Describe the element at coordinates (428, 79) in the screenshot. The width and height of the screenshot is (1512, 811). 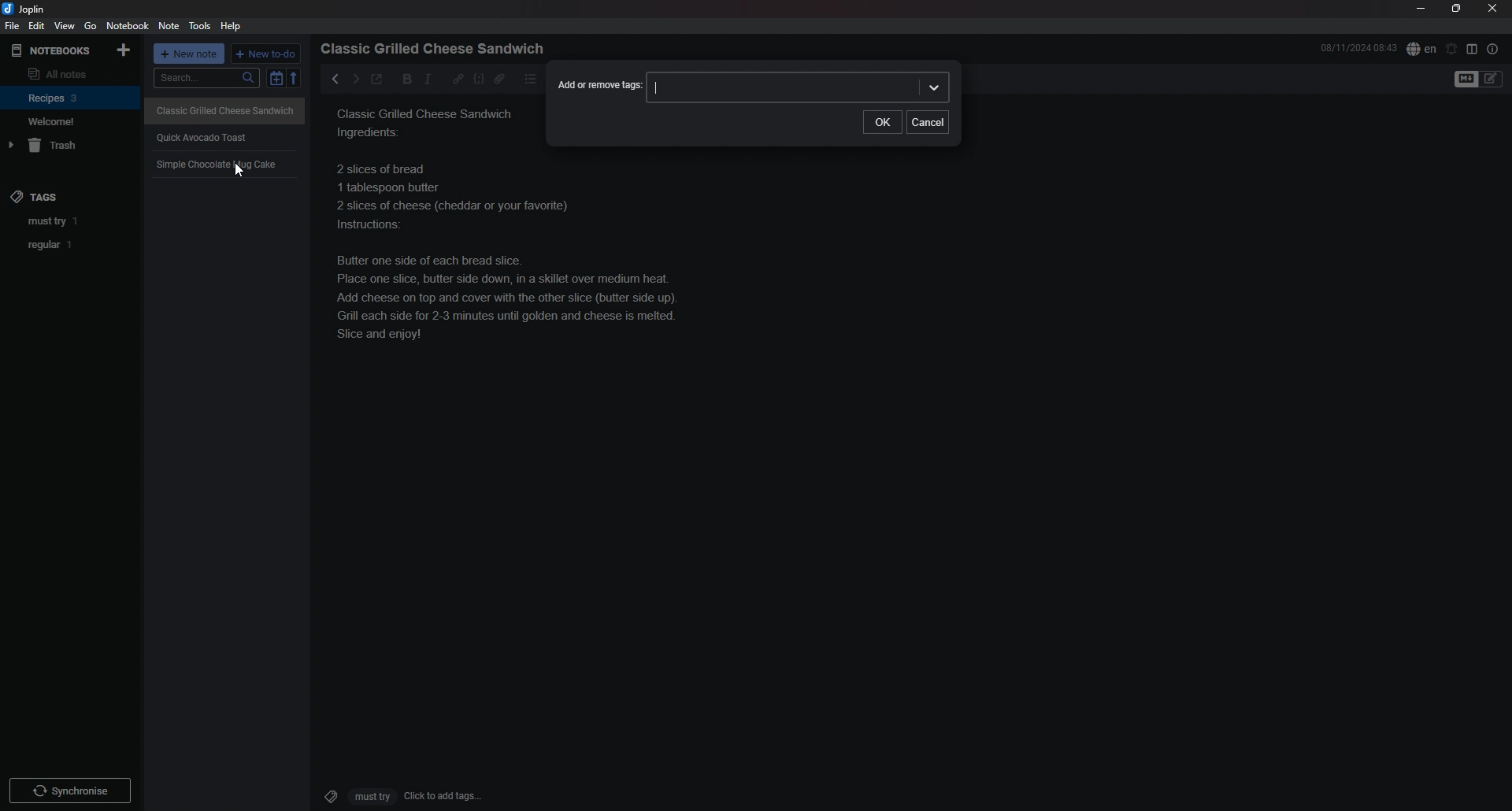
I see `italic` at that location.